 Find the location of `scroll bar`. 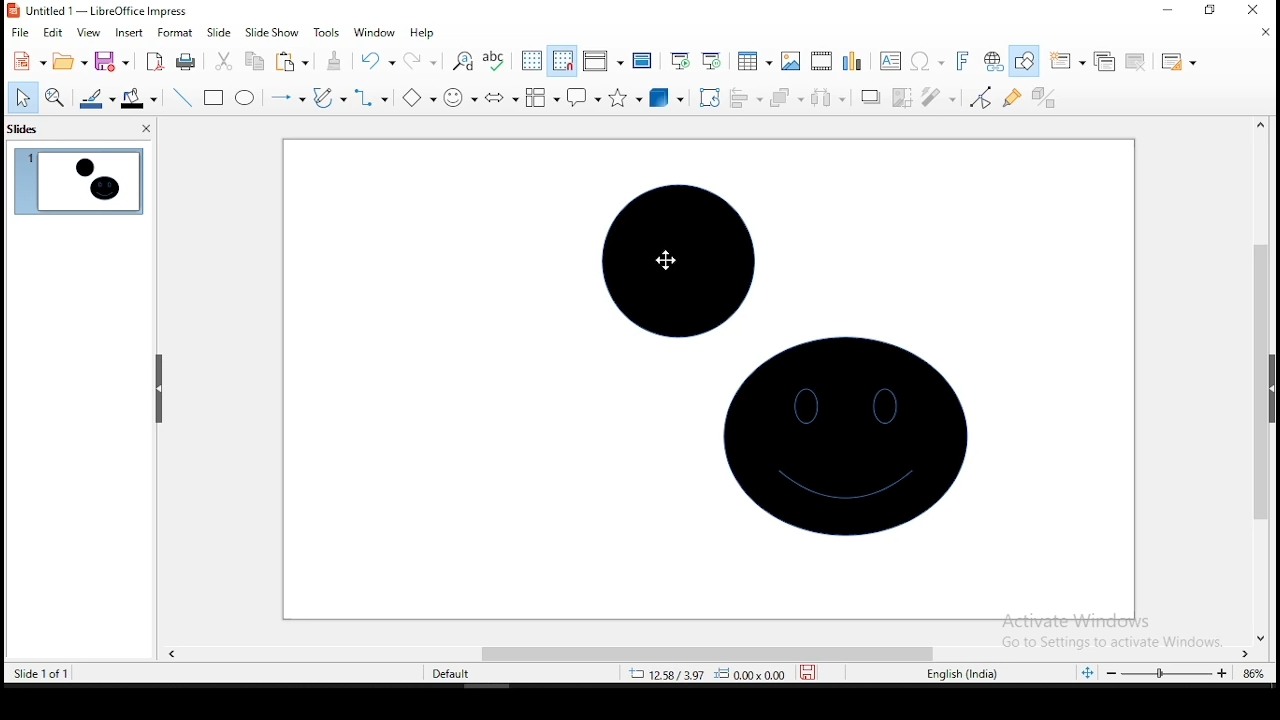

scroll bar is located at coordinates (703, 651).